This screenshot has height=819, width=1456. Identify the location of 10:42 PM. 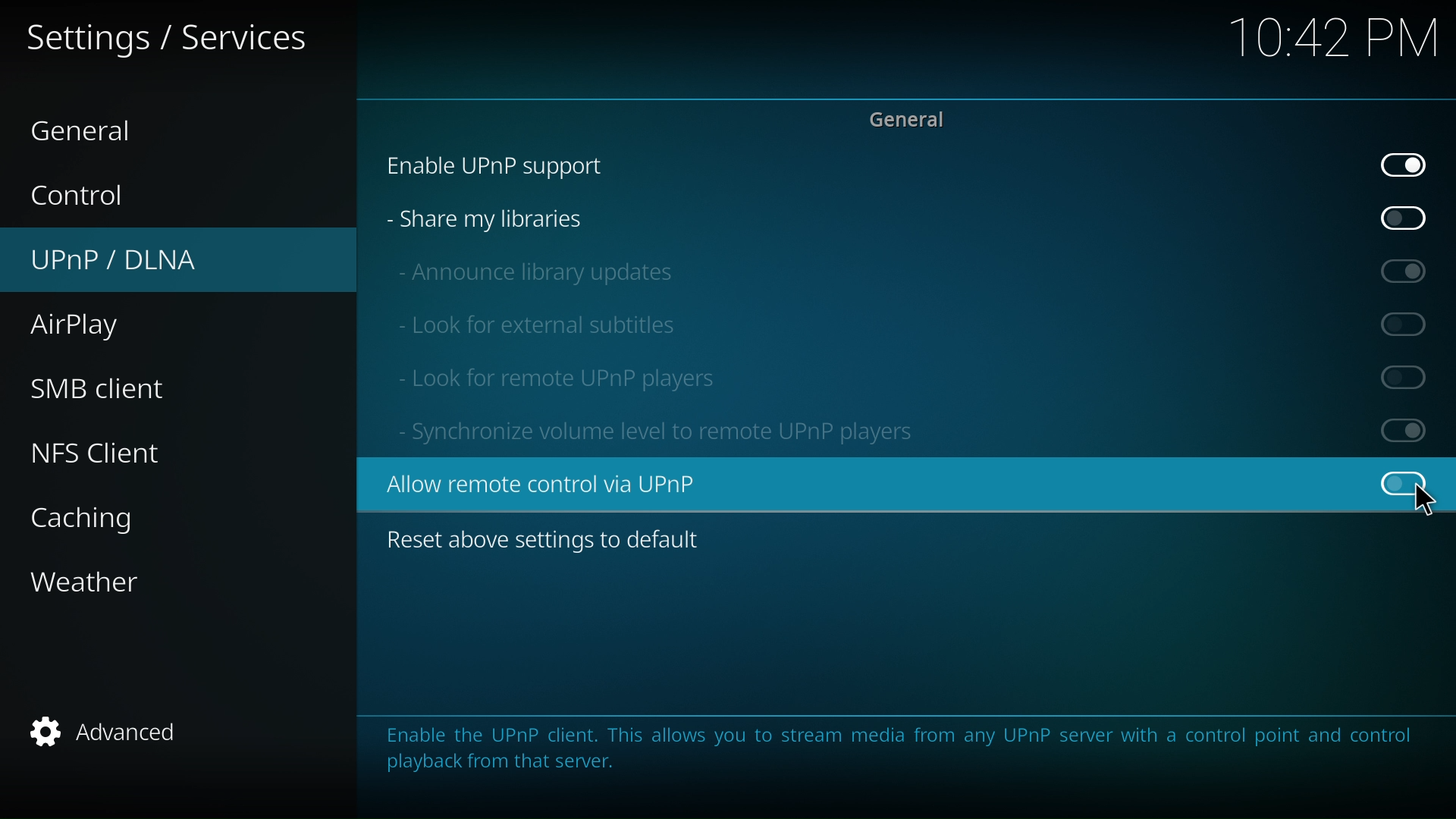
(1332, 37).